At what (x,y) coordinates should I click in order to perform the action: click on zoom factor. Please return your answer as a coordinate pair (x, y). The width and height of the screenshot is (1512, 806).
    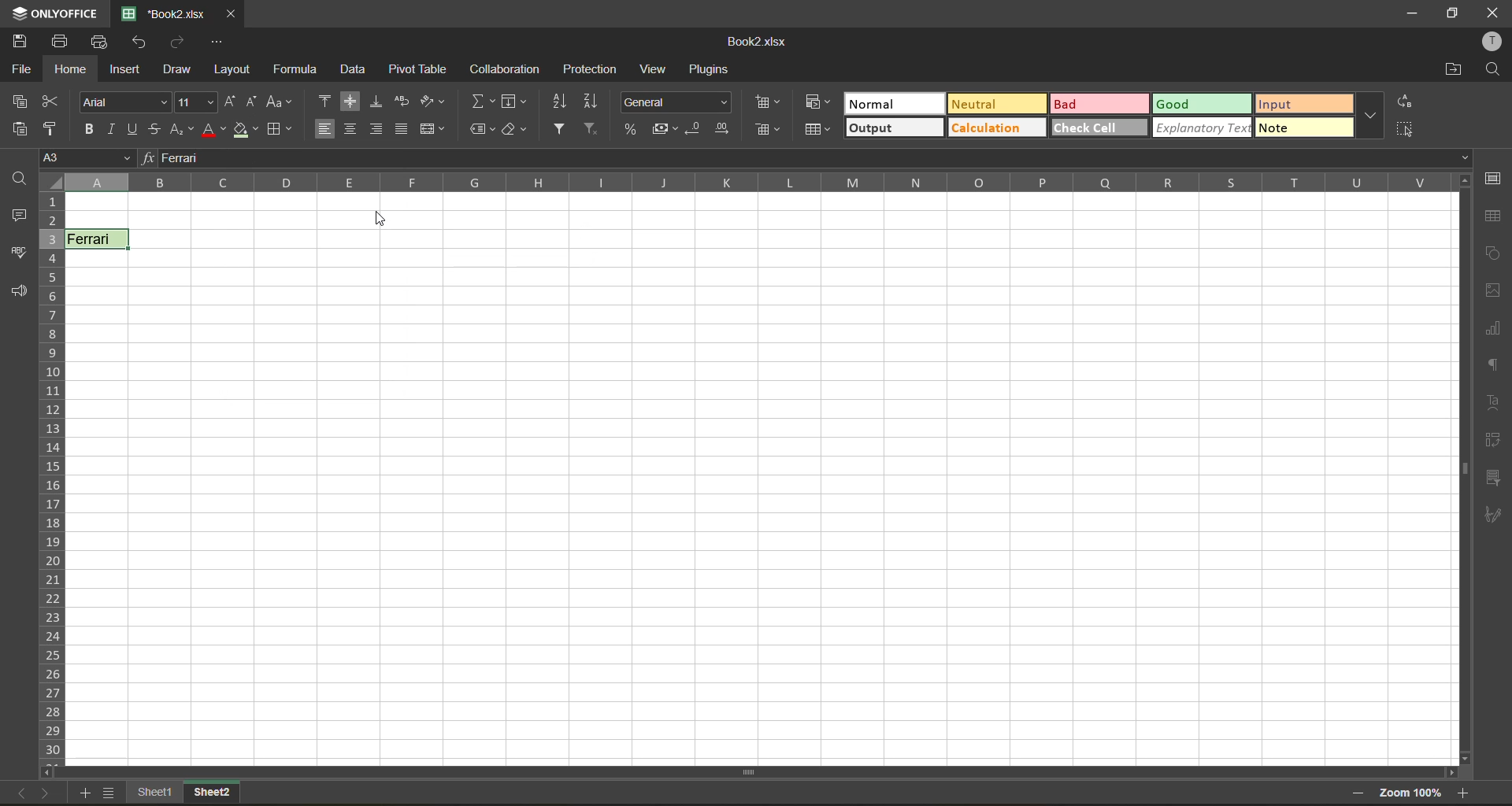
    Looking at the image, I should click on (1412, 793).